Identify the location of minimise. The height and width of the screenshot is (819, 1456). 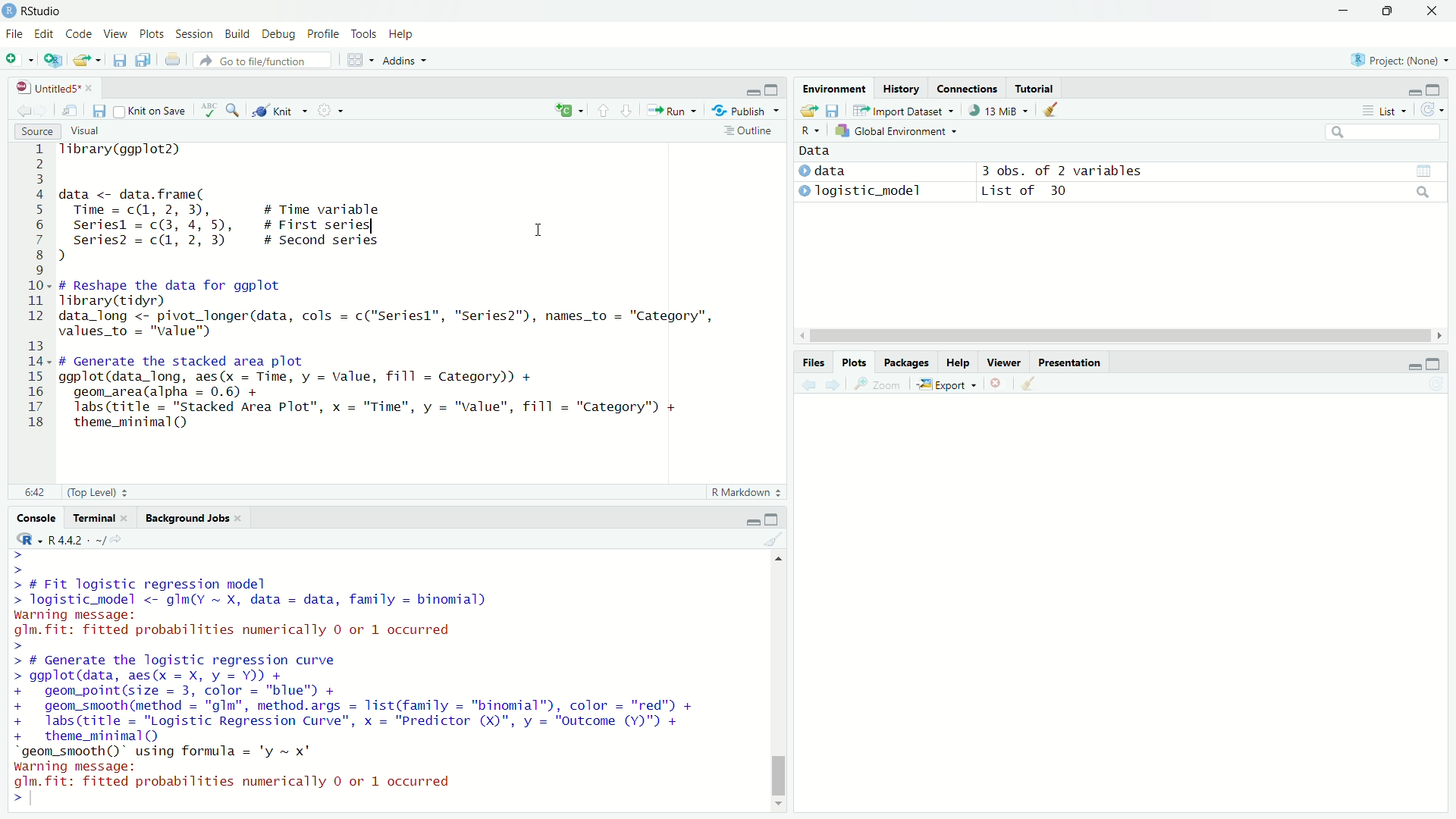
(742, 519).